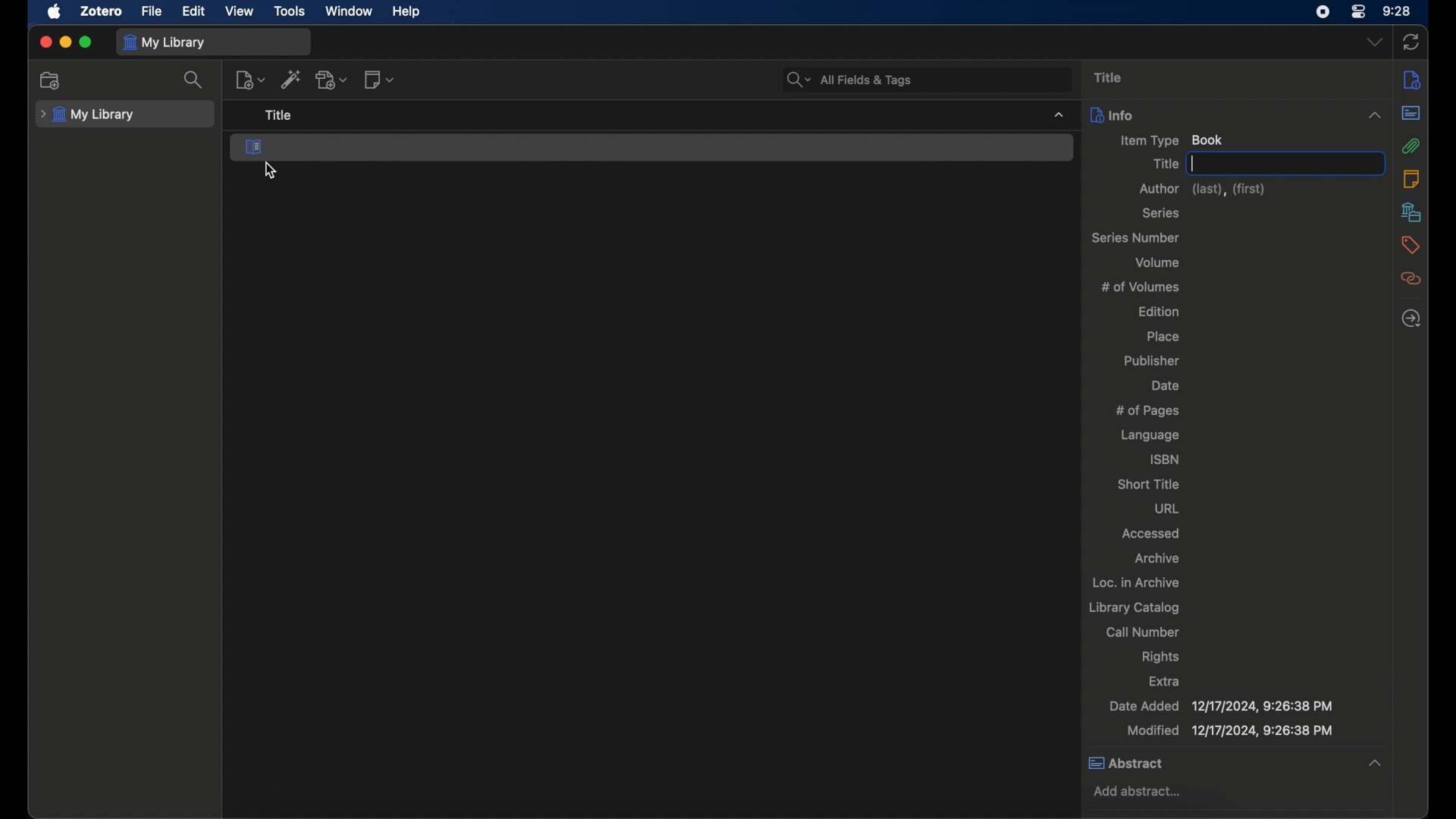 This screenshot has height=819, width=1456. What do you see at coordinates (1235, 114) in the screenshot?
I see `info` at bounding box center [1235, 114].